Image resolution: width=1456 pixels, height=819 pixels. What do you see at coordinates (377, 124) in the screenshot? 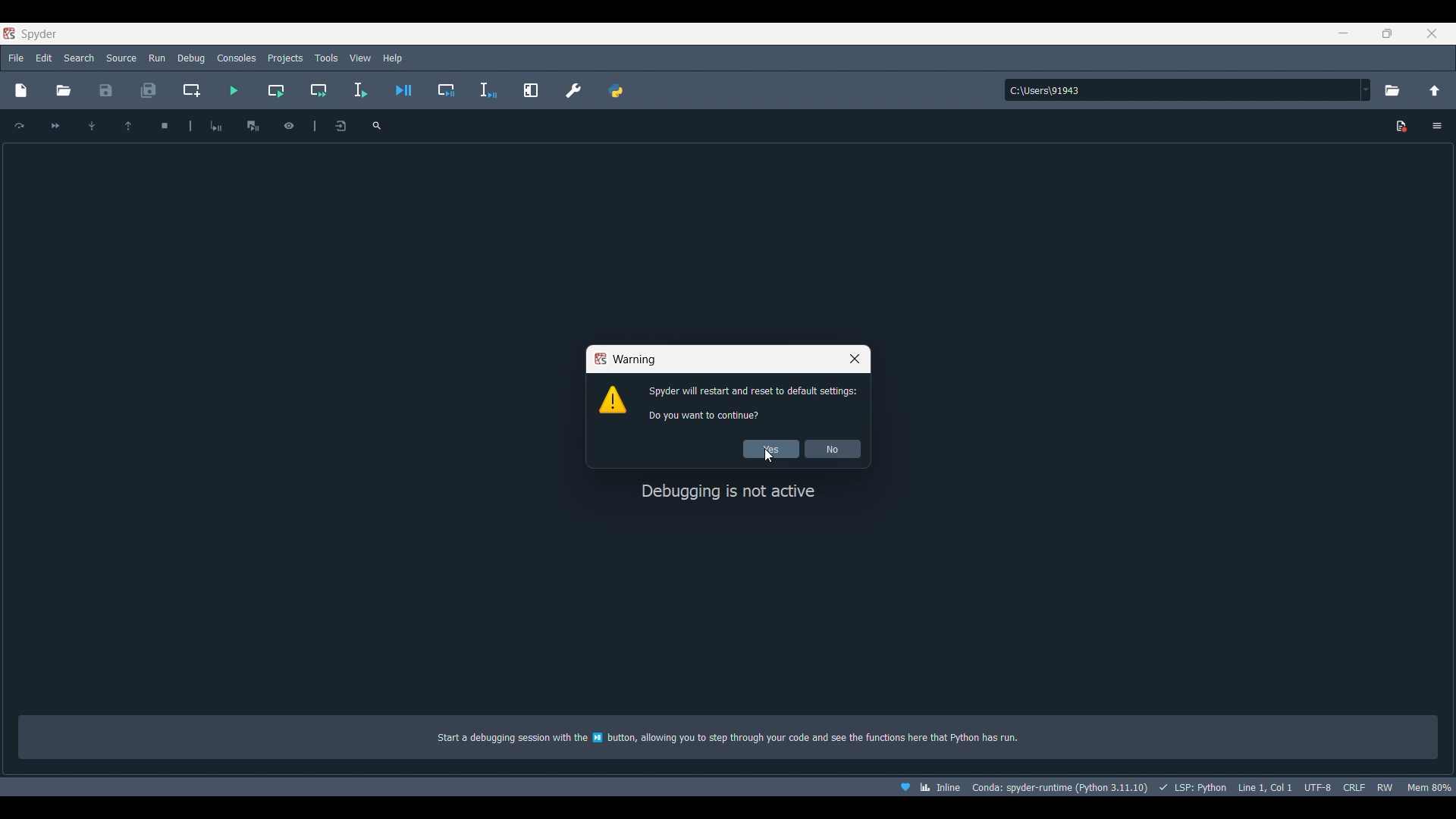
I see `search variable name` at bounding box center [377, 124].